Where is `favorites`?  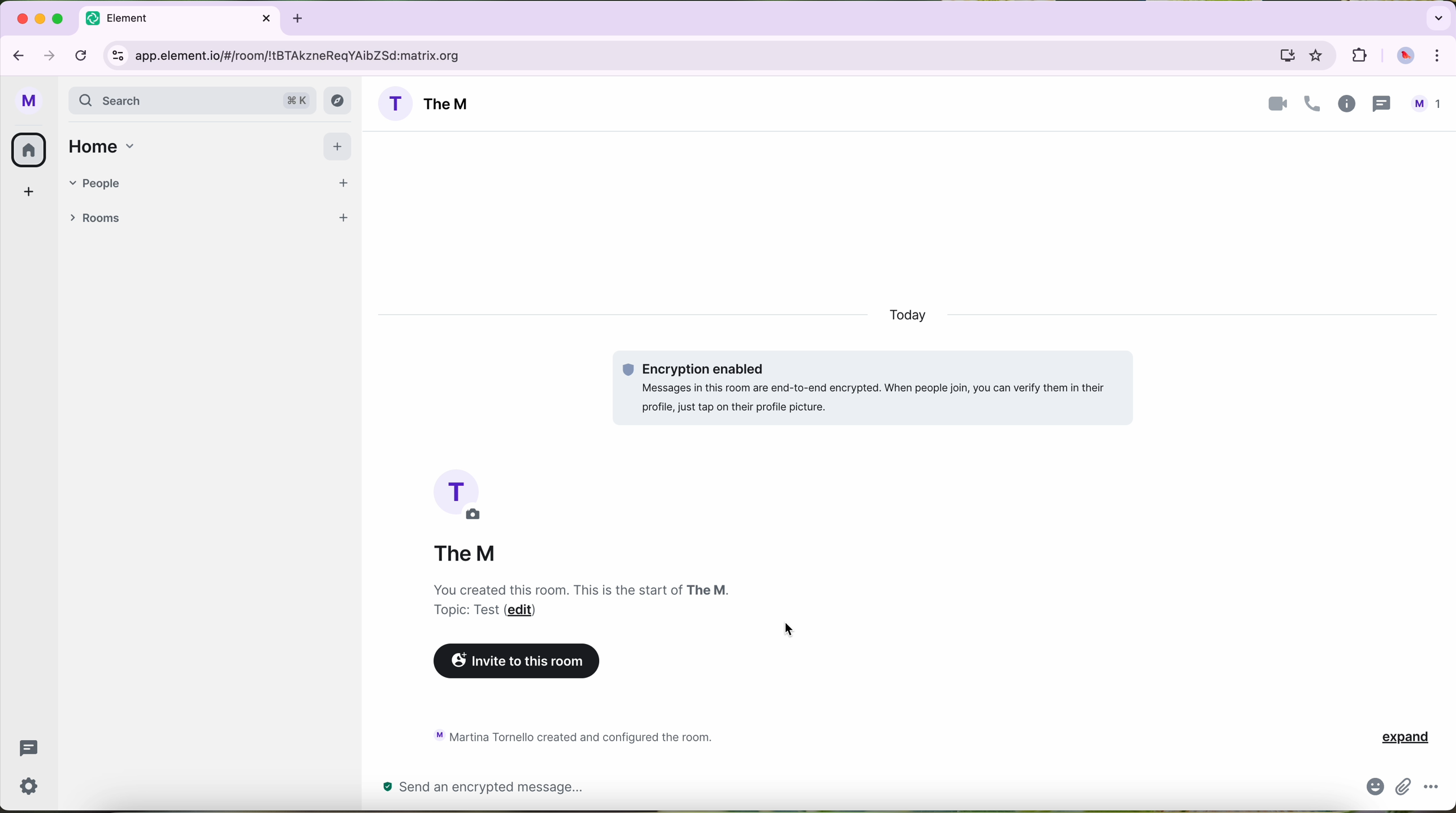 favorites is located at coordinates (1319, 56).